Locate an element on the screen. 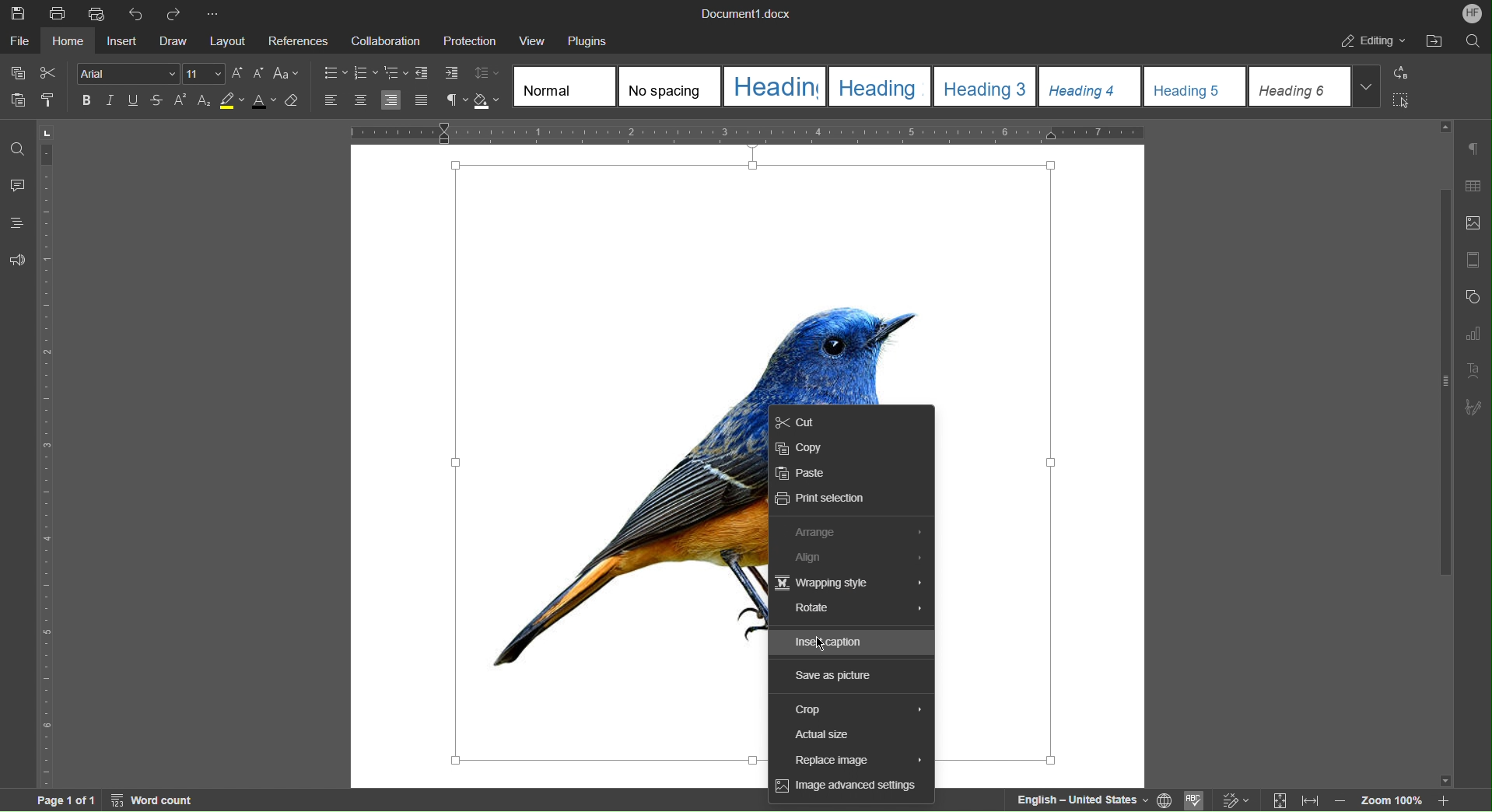 Image resolution: width=1492 pixels, height=812 pixels. Wrapping Style is located at coordinates (852, 584).